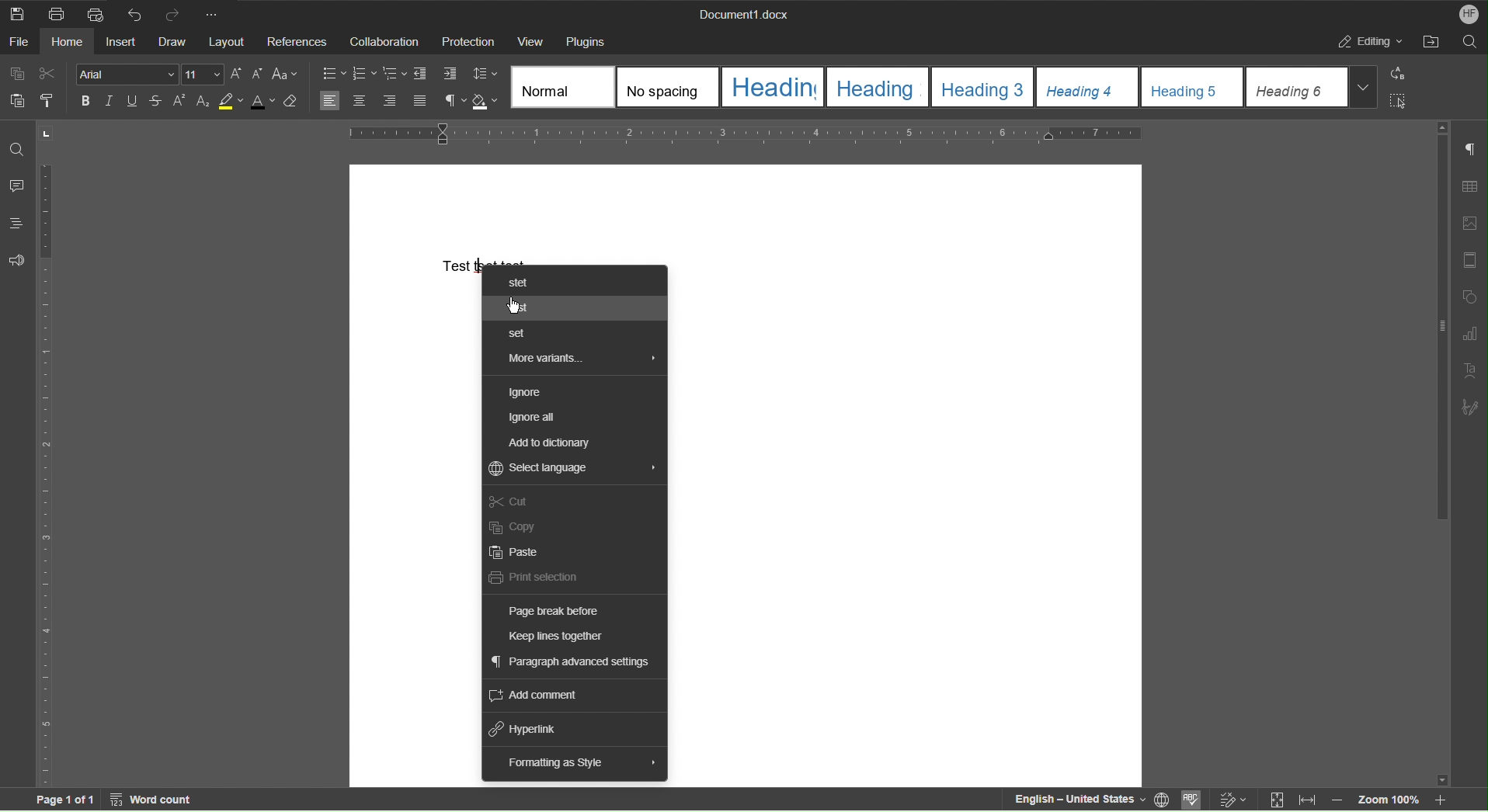 This screenshot has height=812, width=1488. Describe the element at coordinates (519, 528) in the screenshot. I see `Copy` at that location.